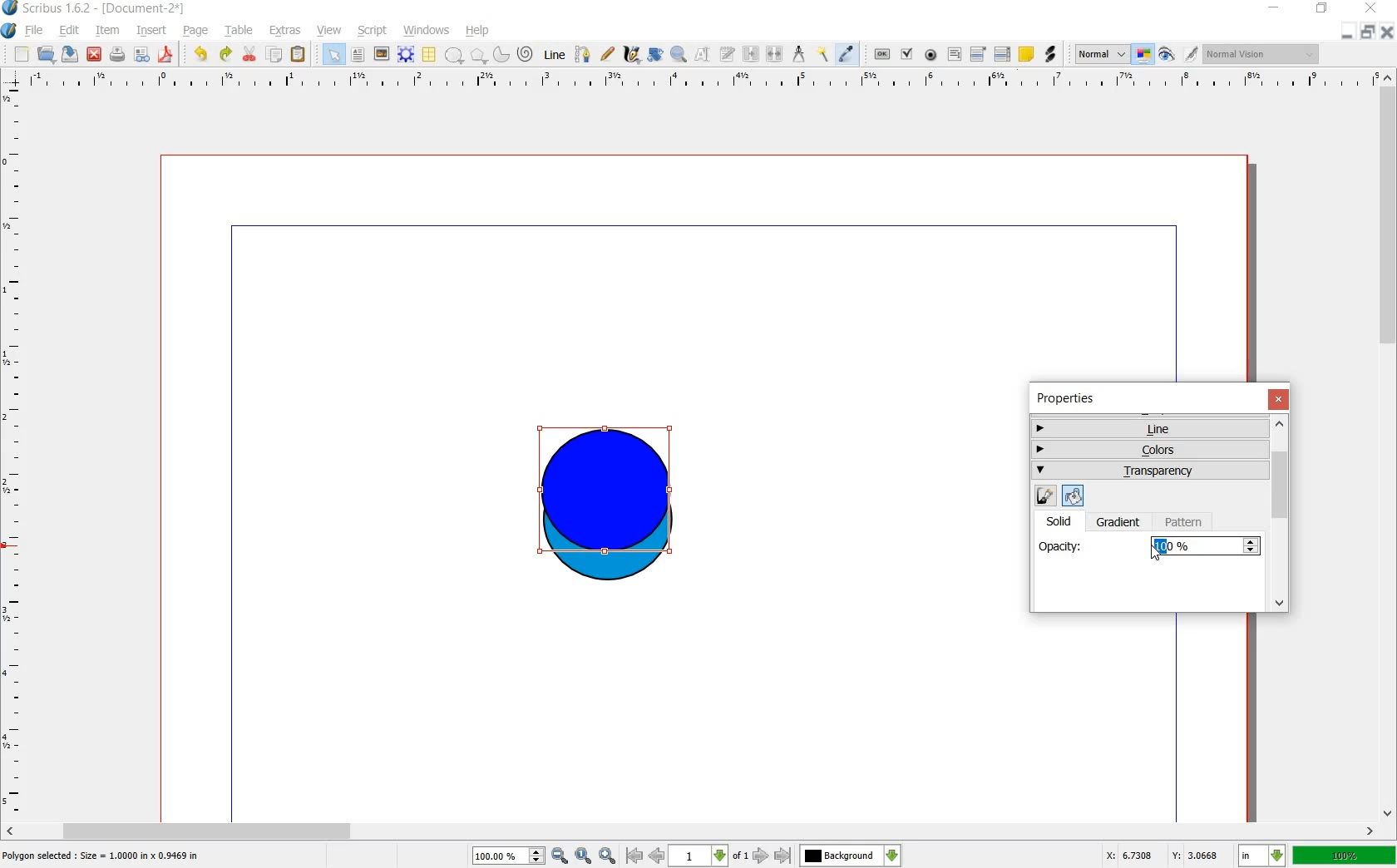 This screenshot has width=1397, height=868. What do you see at coordinates (698, 856) in the screenshot?
I see `1` at bounding box center [698, 856].